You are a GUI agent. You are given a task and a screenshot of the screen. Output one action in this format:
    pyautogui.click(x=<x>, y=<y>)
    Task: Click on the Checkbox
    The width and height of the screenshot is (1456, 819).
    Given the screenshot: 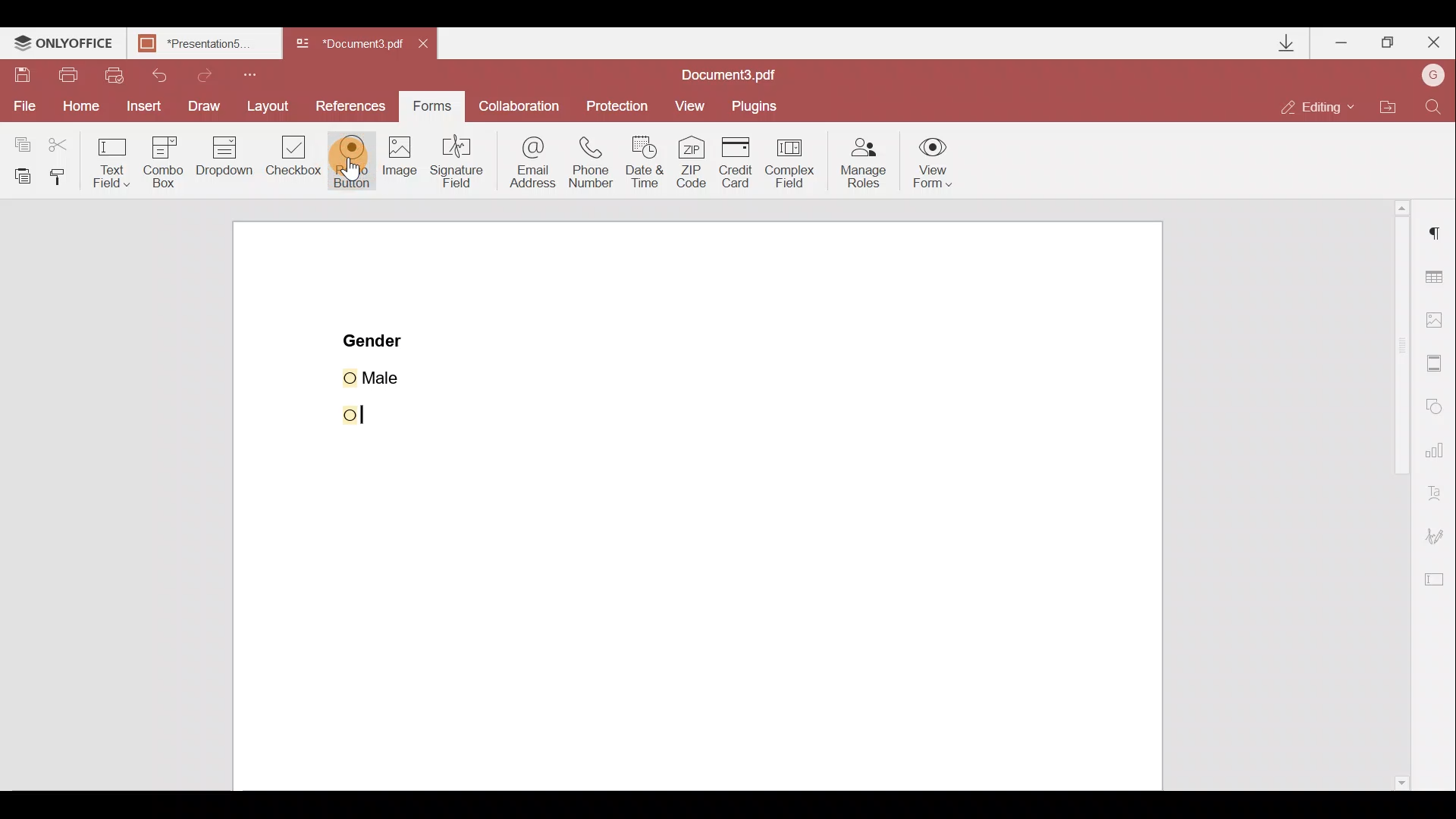 What is the action you would take?
    pyautogui.click(x=295, y=160)
    